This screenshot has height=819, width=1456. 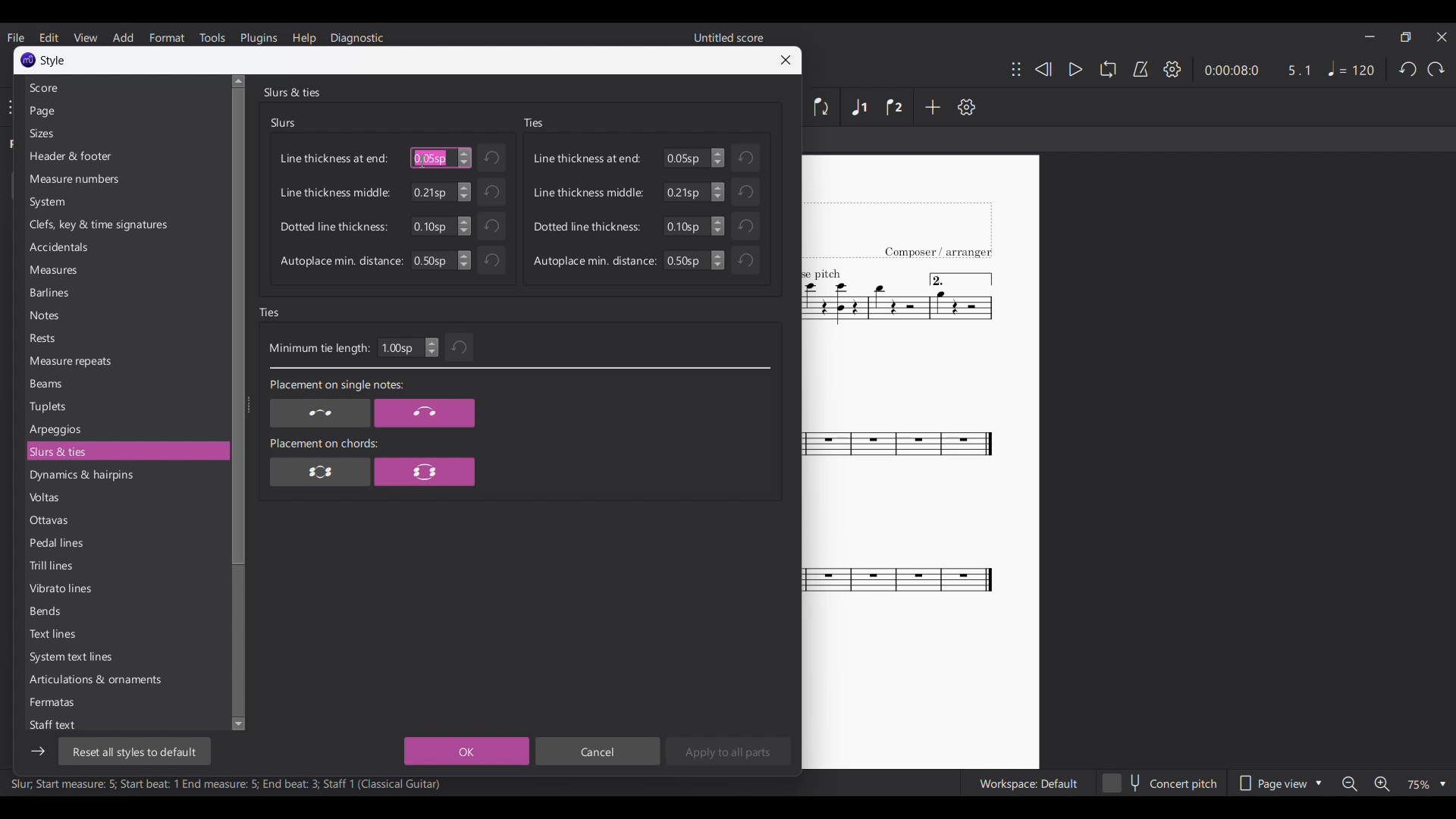 What do you see at coordinates (588, 193) in the screenshot?
I see `Line thickness middle` at bounding box center [588, 193].